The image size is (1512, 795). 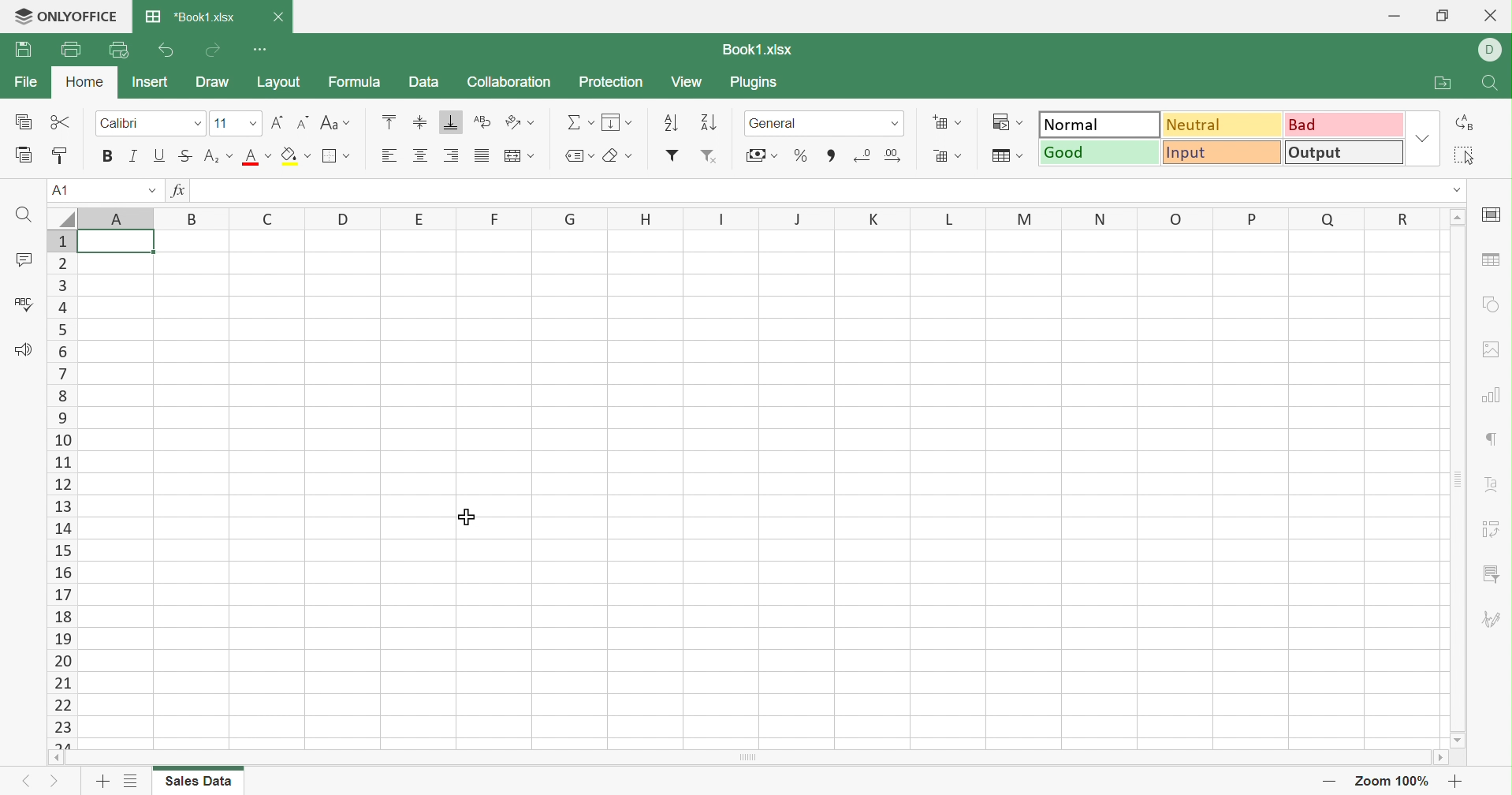 What do you see at coordinates (1454, 482) in the screenshot?
I see `Scroll Bar` at bounding box center [1454, 482].